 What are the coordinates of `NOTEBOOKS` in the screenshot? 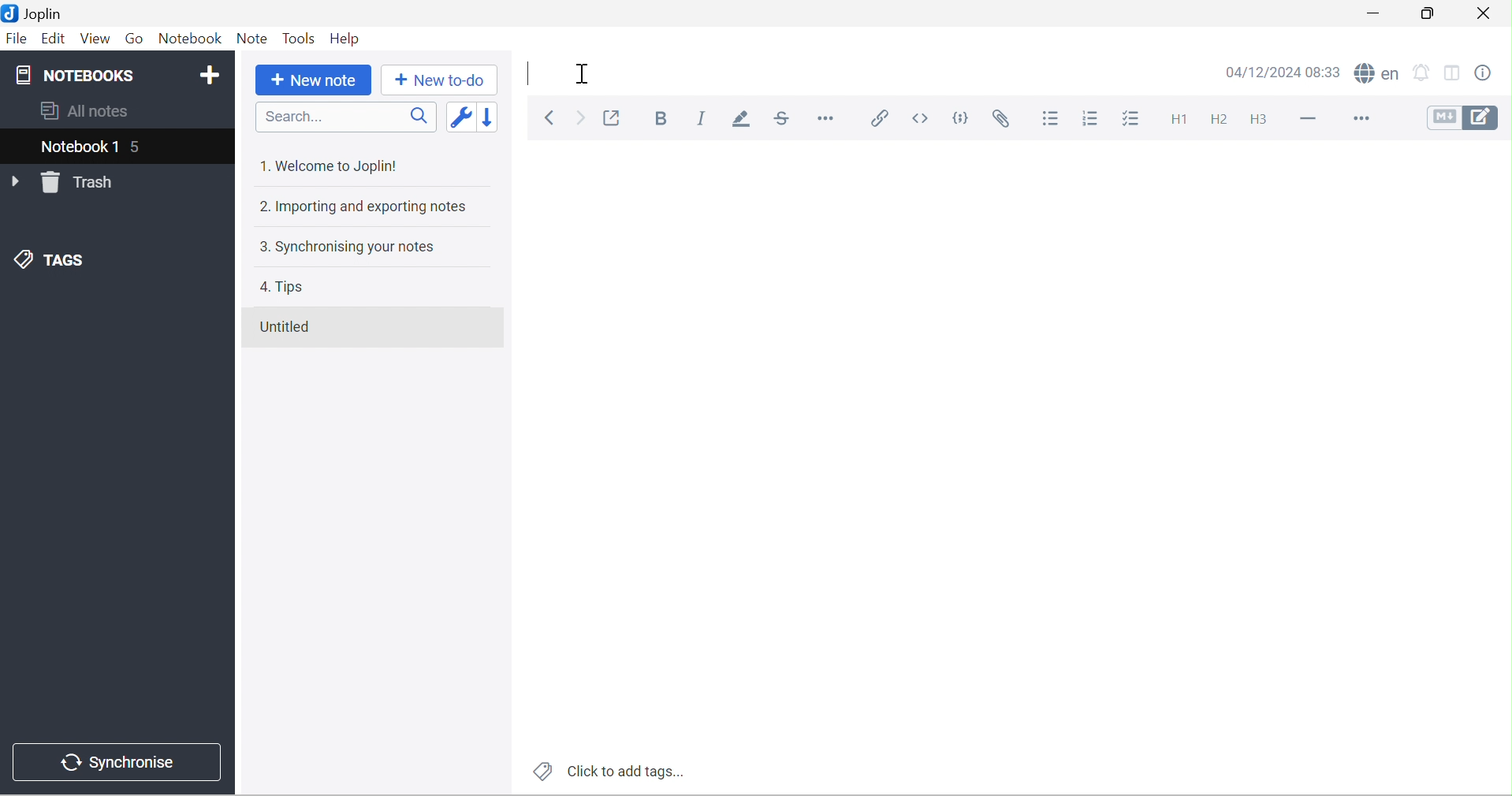 It's located at (80, 73).